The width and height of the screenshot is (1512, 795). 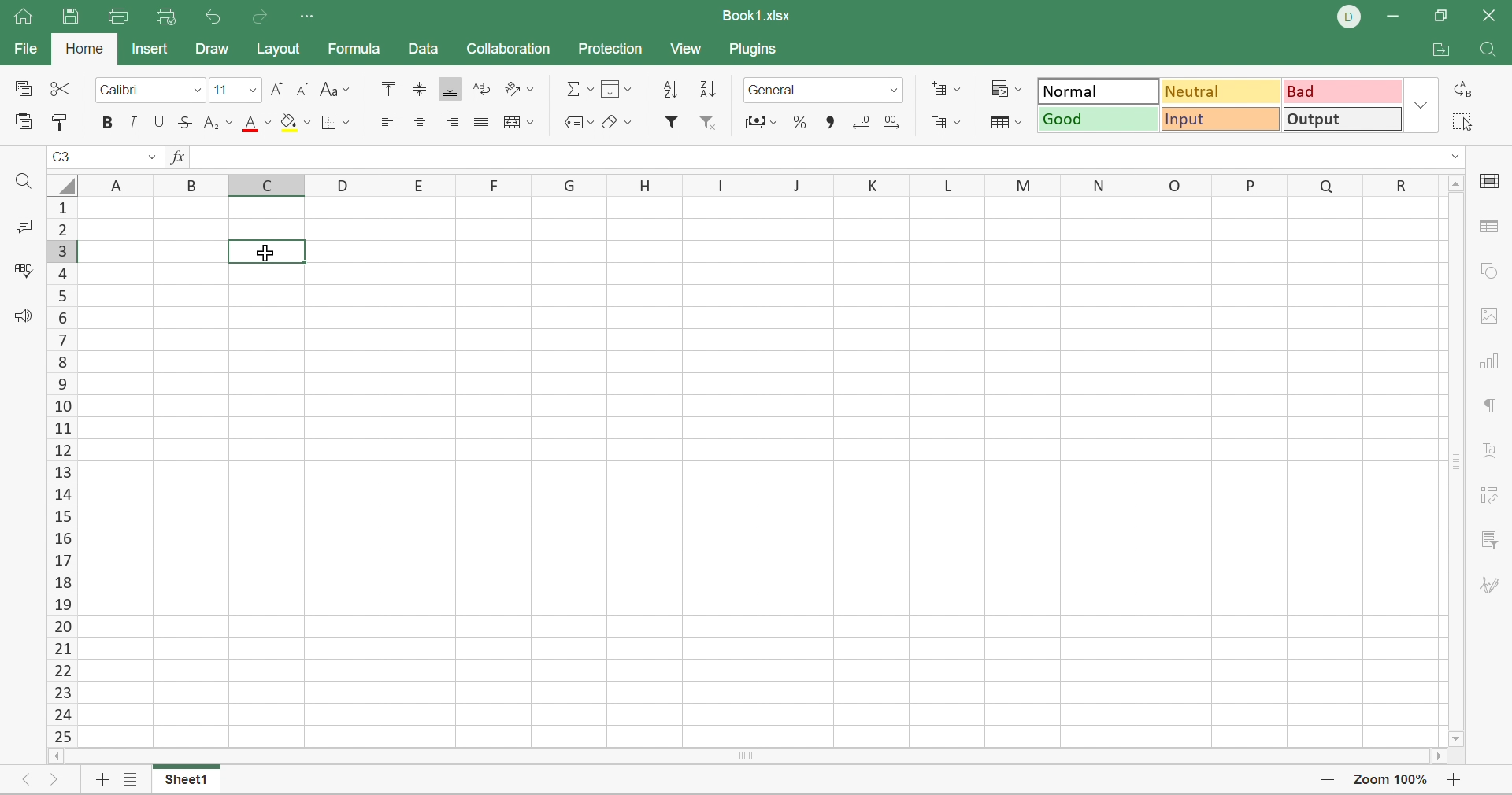 I want to click on Drop Down, so click(x=152, y=160).